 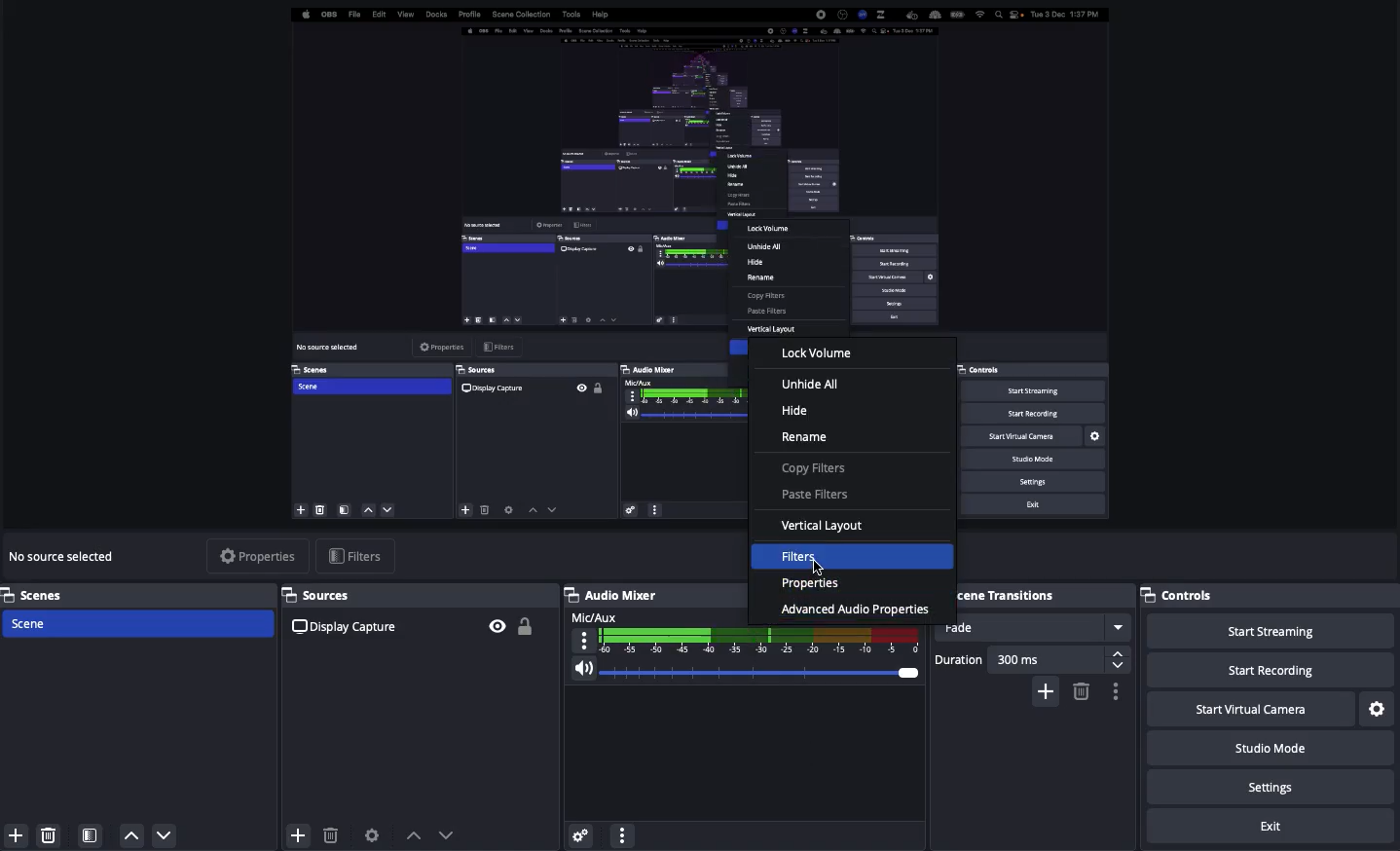 What do you see at coordinates (834, 604) in the screenshot?
I see `Advanced audio properties` at bounding box center [834, 604].